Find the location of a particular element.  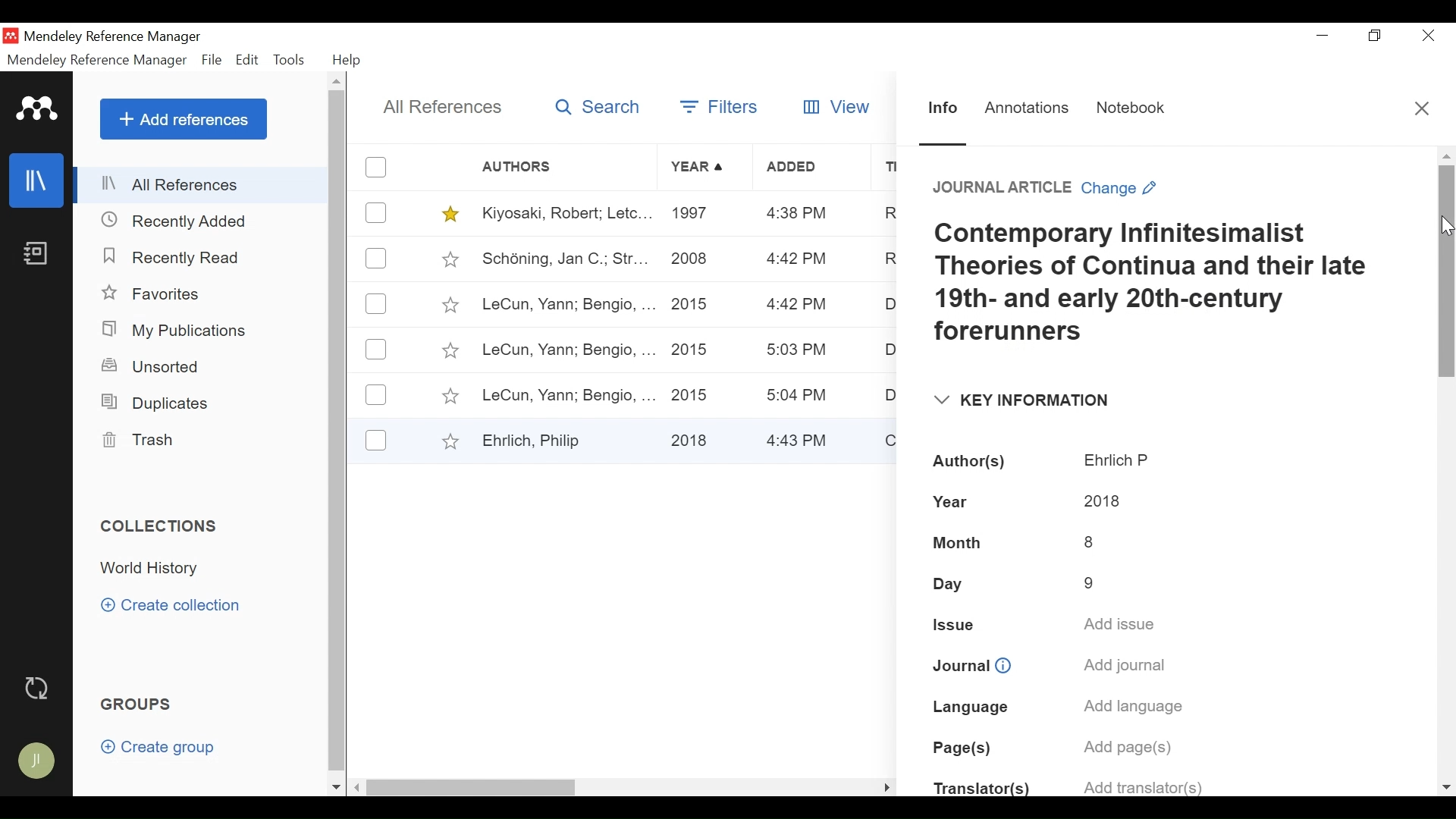

(un)select favorite is located at coordinates (447, 214).